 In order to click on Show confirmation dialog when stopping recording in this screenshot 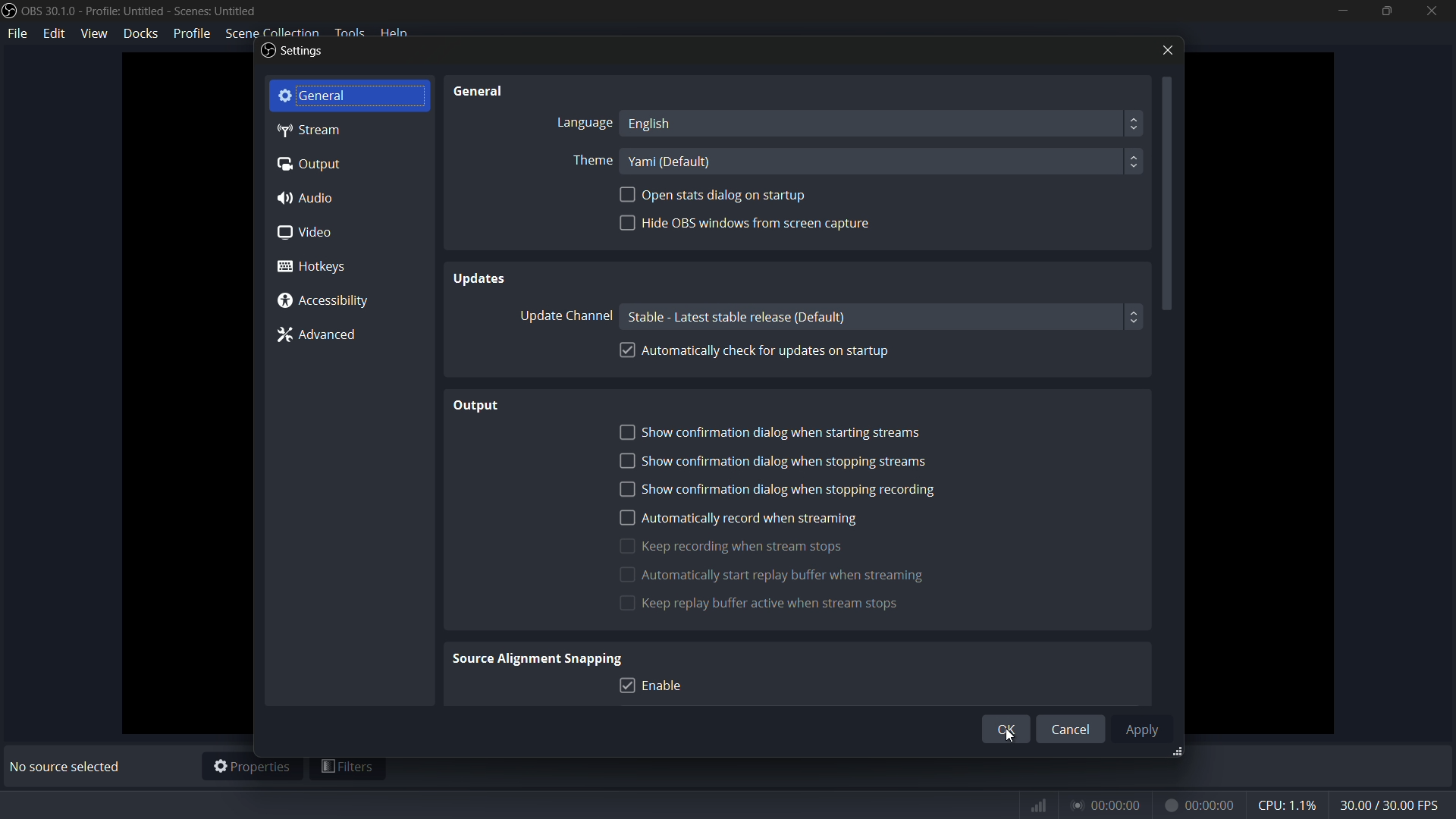, I will do `click(777, 488)`.